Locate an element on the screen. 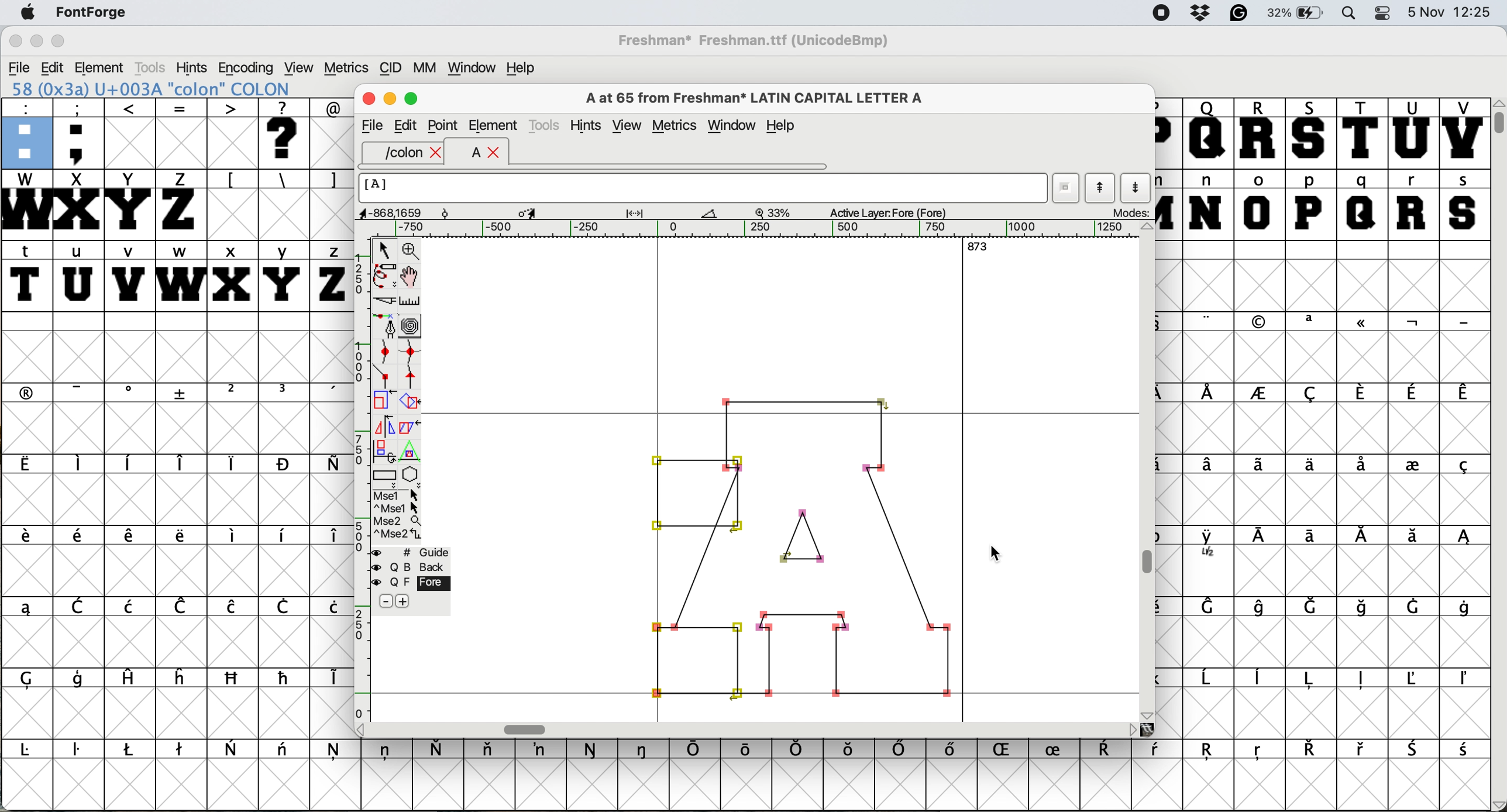 This screenshot has width=1507, height=812. symbol is located at coordinates (1465, 607).